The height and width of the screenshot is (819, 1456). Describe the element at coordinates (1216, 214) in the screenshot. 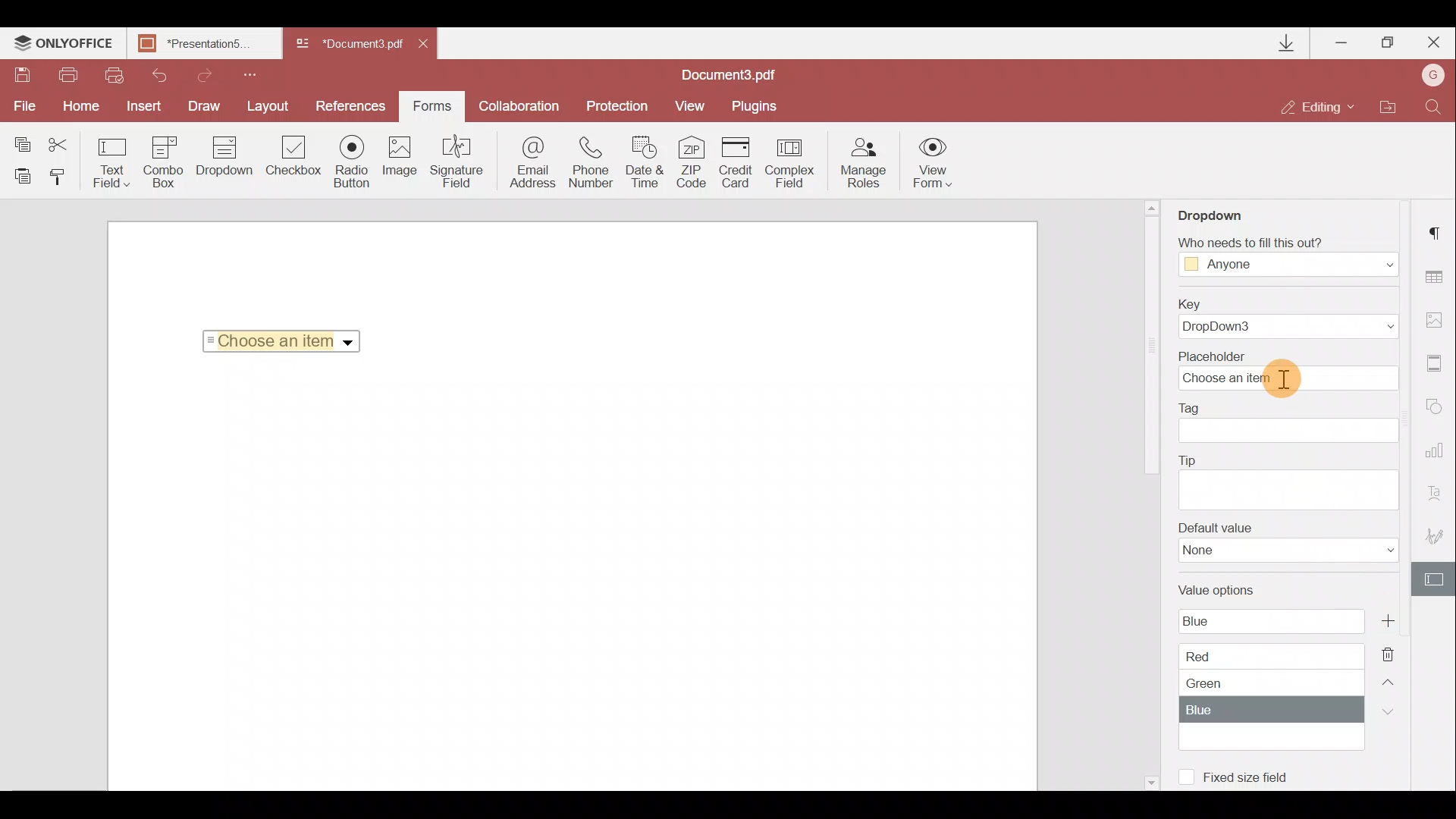

I see `Dropdown` at that location.